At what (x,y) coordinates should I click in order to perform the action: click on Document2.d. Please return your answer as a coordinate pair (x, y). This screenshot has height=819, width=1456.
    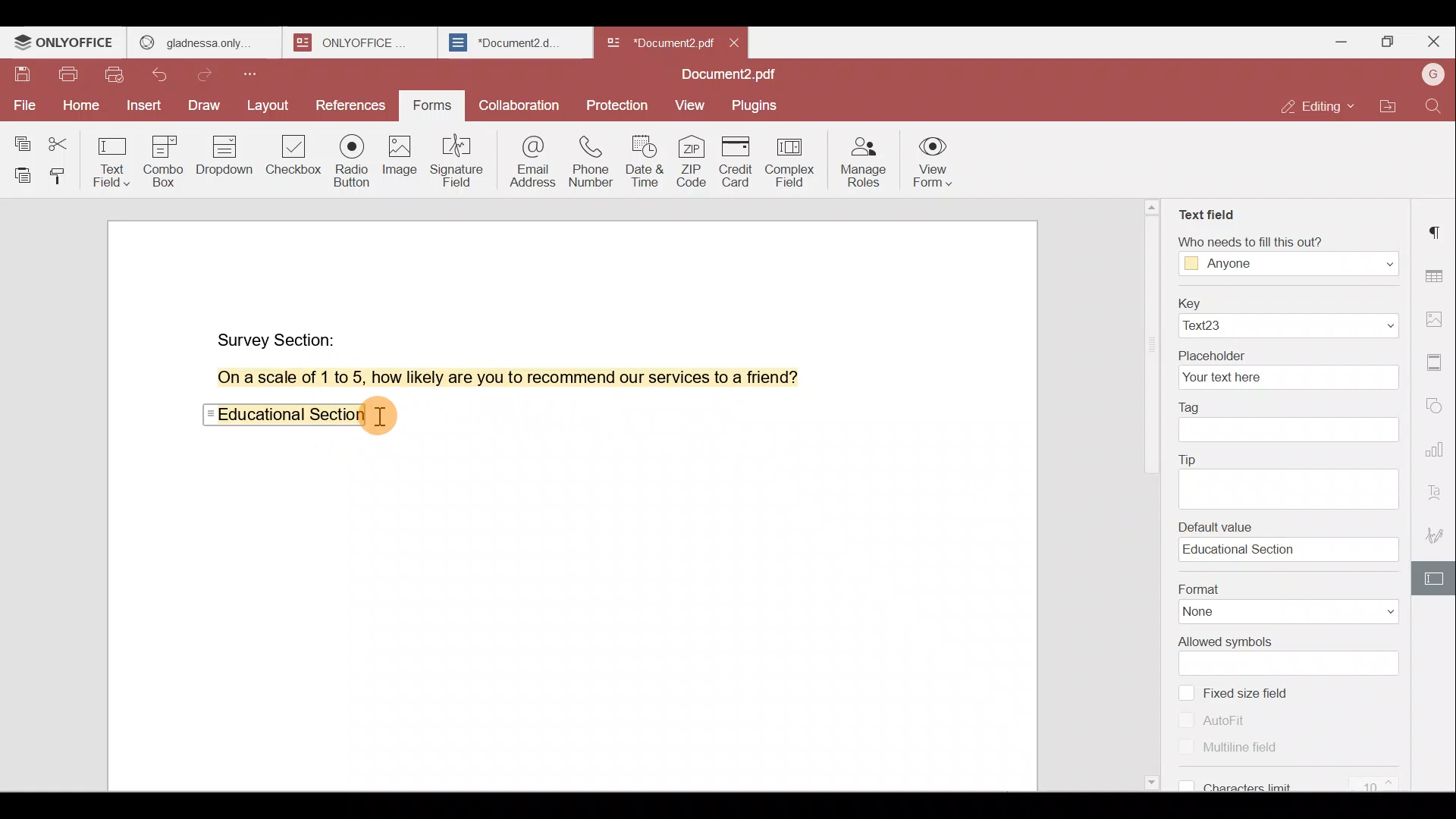
    Looking at the image, I should click on (514, 43).